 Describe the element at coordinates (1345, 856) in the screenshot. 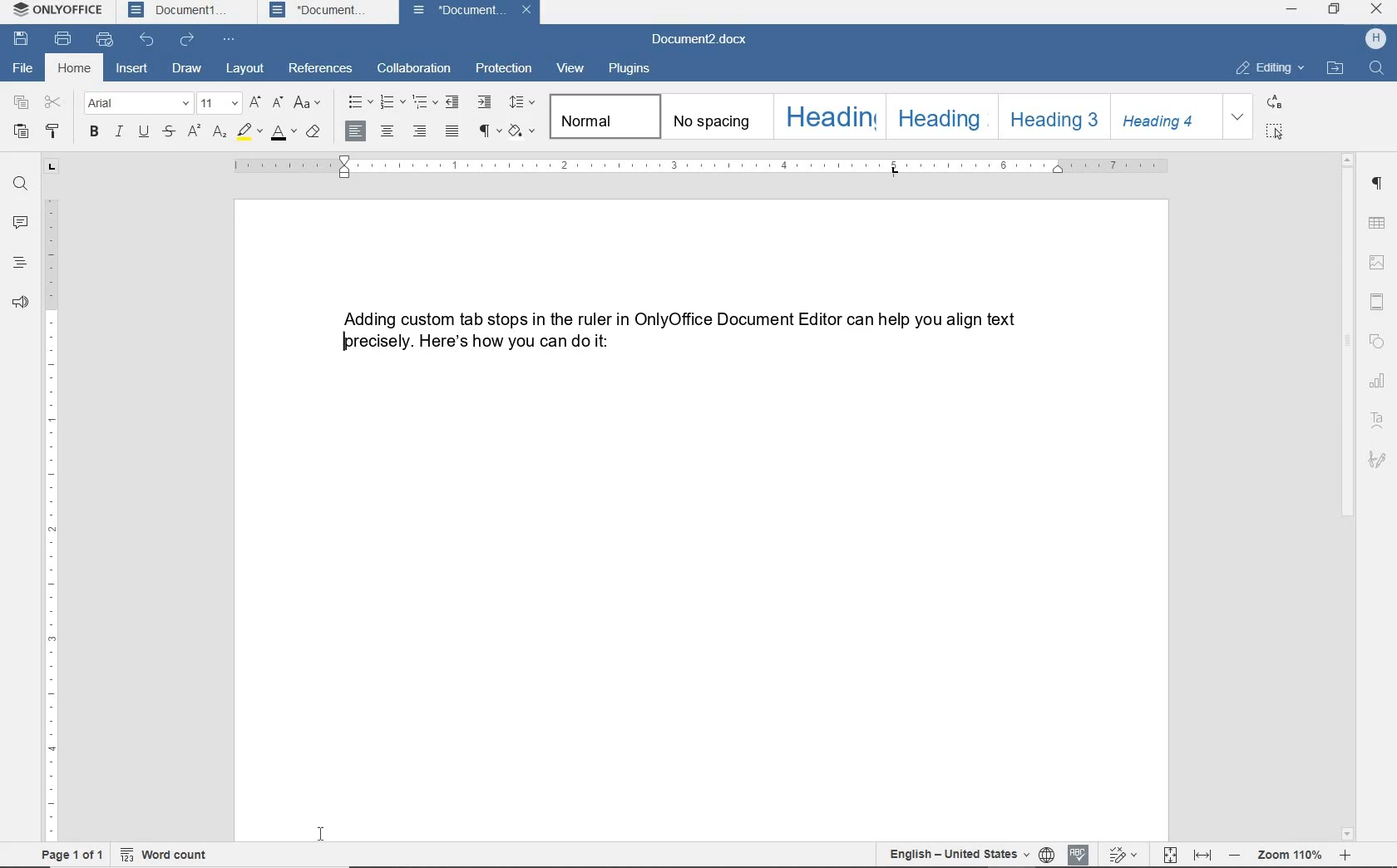

I see `zoom in` at that location.